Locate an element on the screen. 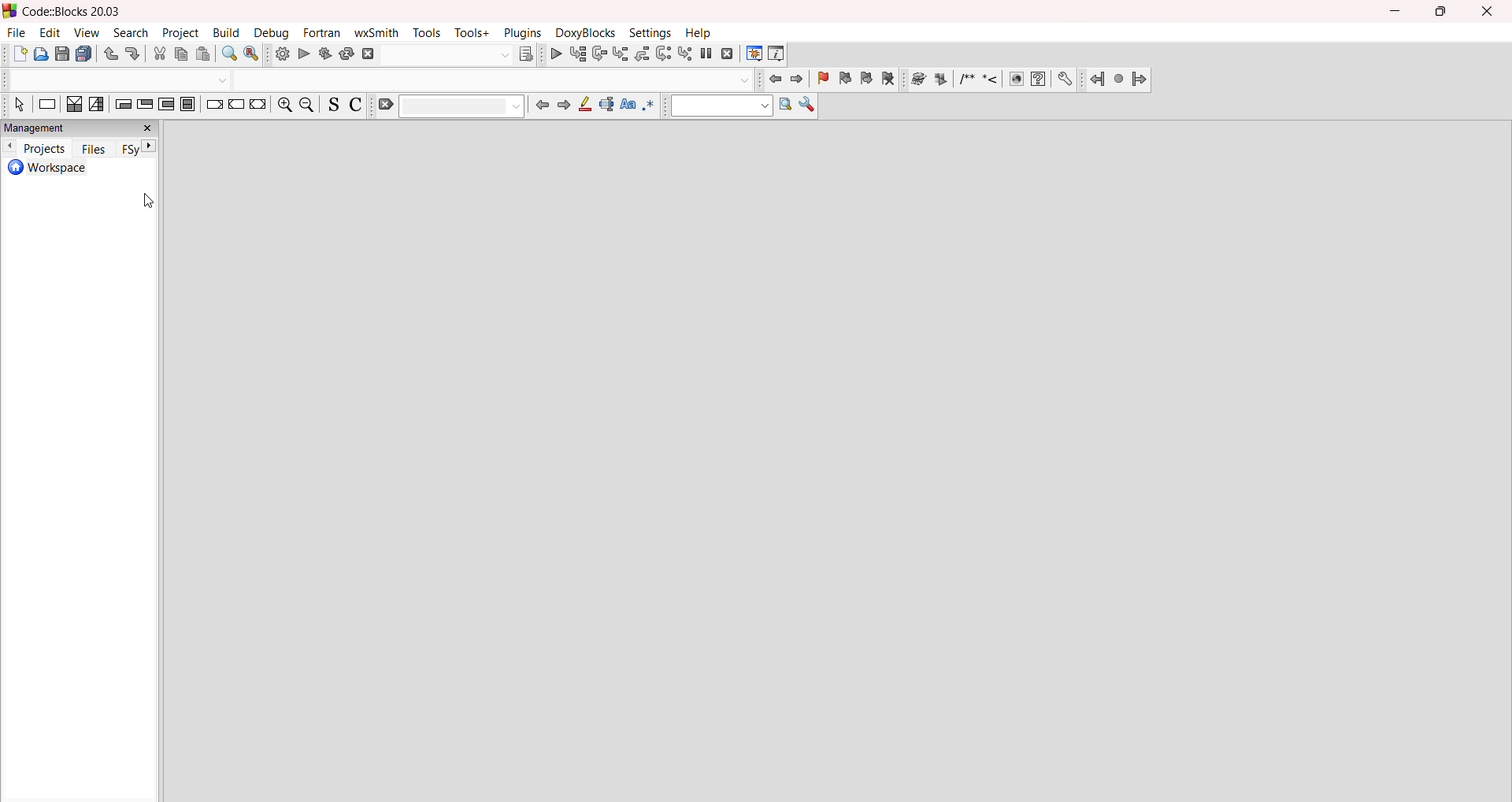  Extract is located at coordinates (941, 79).